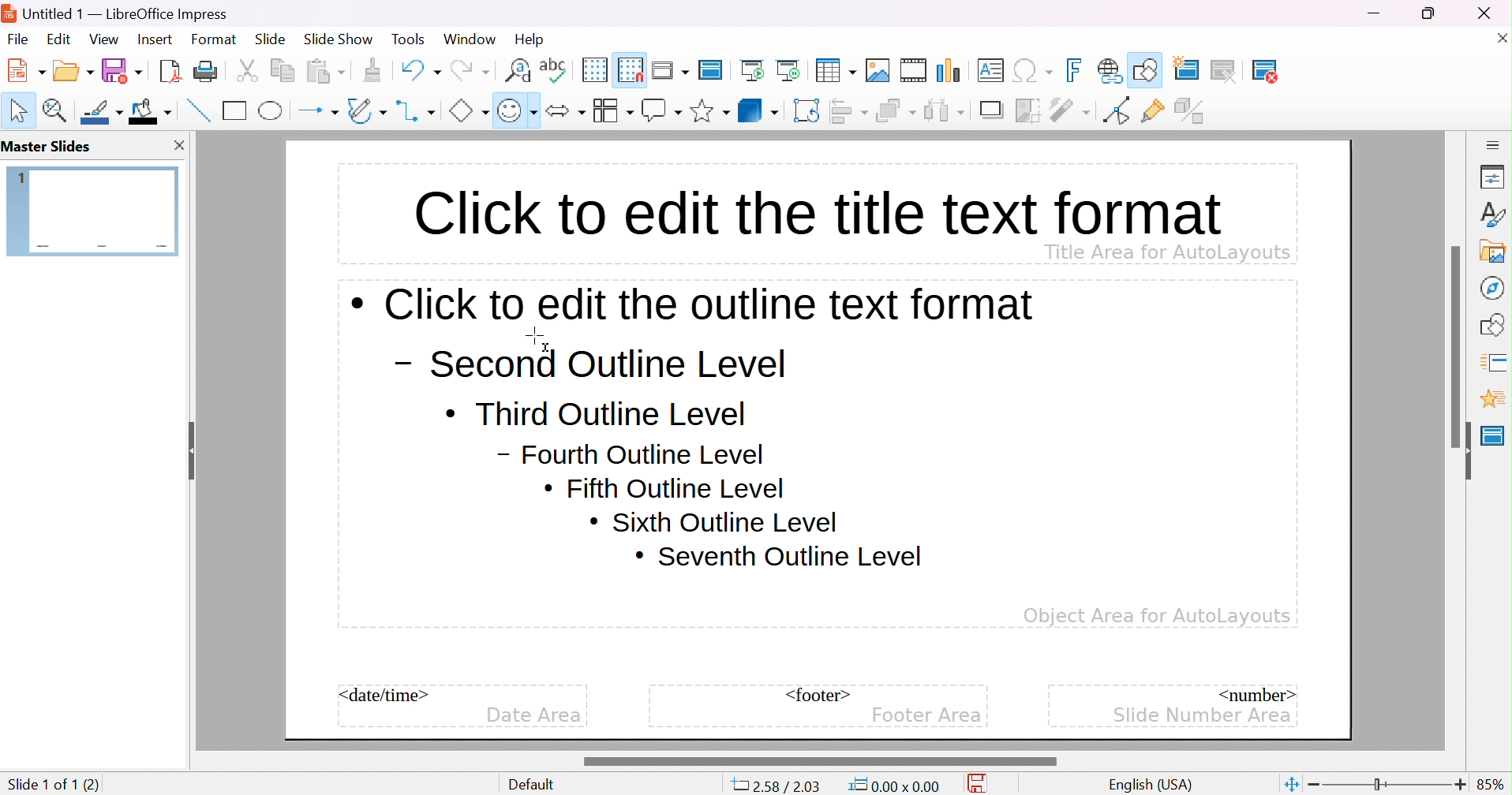 This screenshot has height=795, width=1512. Describe the element at coordinates (533, 716) in the screenshot. I see `date area` at that location.